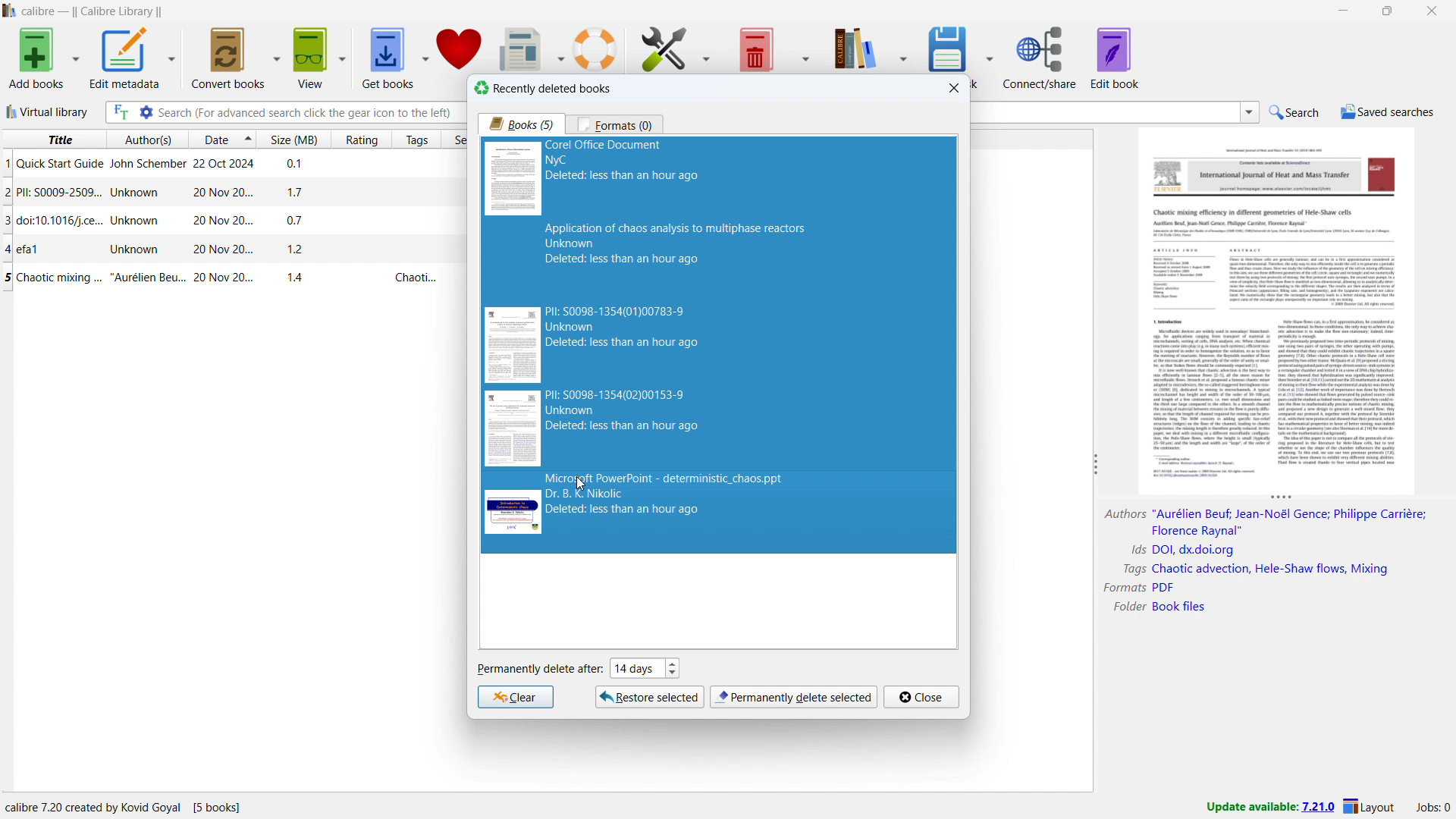 This screenshot has width=1456, height=819. What do you see at coordinates (309, 112) in the screenshot?
I see `enter search string` at bounding box center [309, 112].